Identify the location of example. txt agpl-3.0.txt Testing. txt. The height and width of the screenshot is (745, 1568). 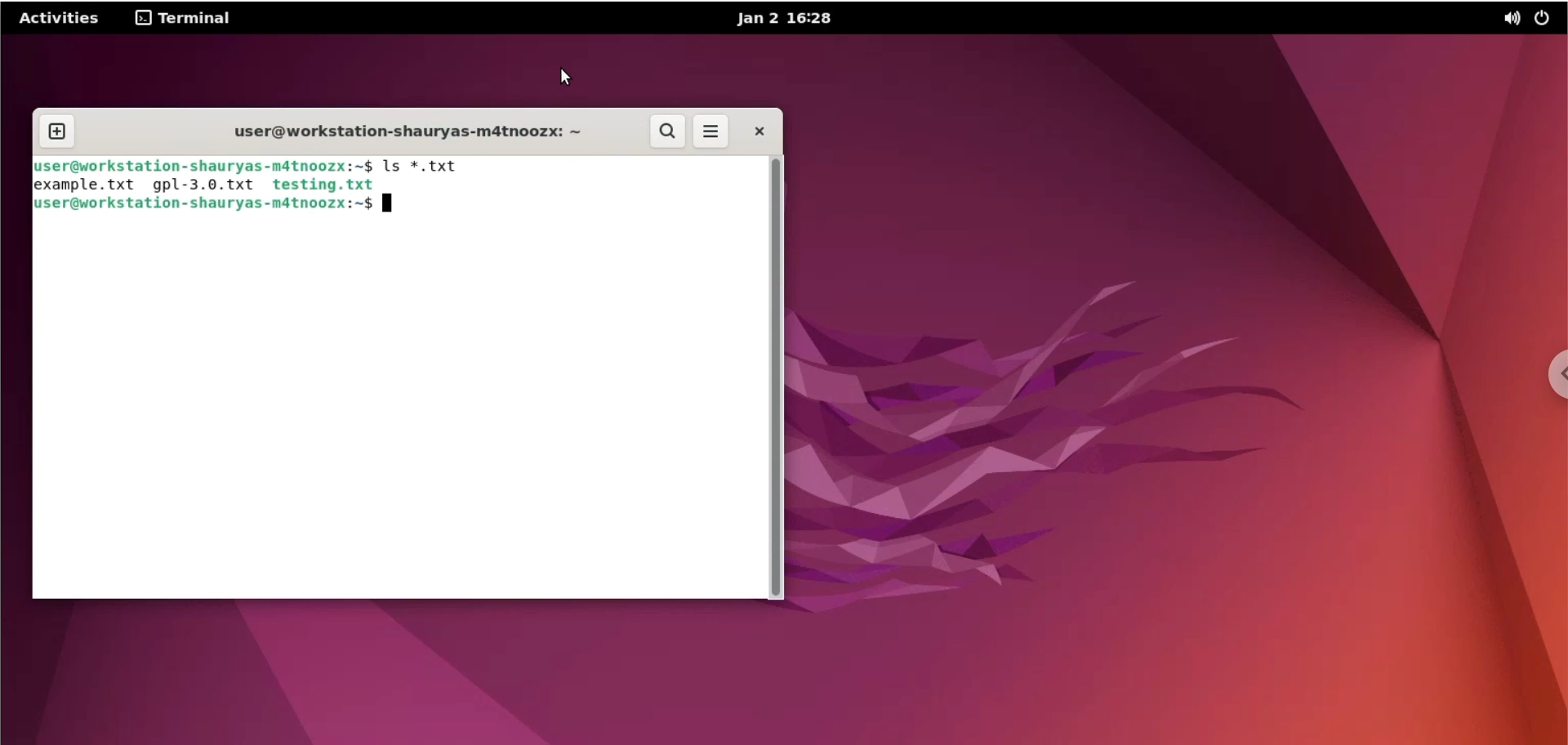
(205, 184).